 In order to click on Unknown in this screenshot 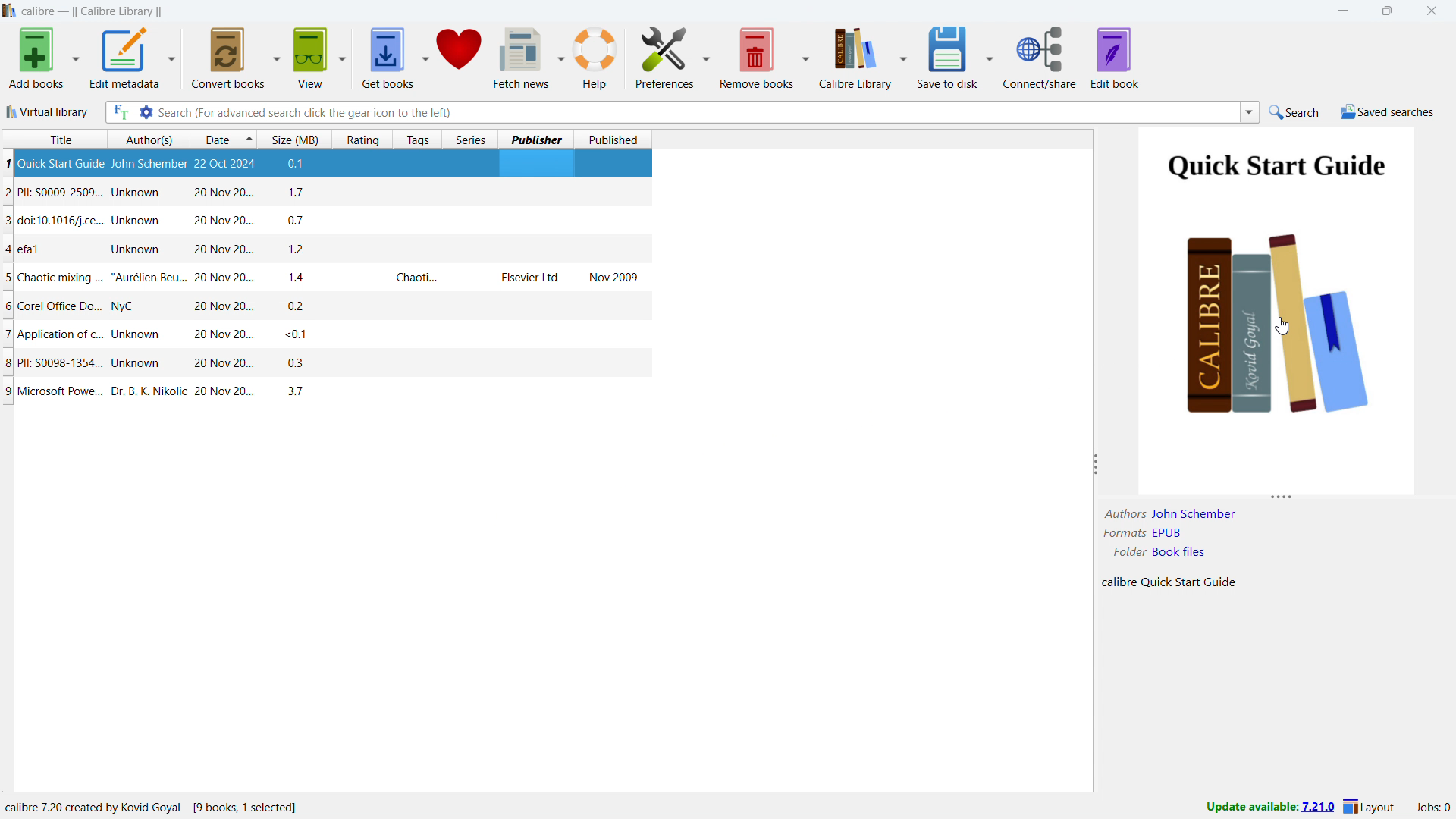, I will do `click(138, 221)`.